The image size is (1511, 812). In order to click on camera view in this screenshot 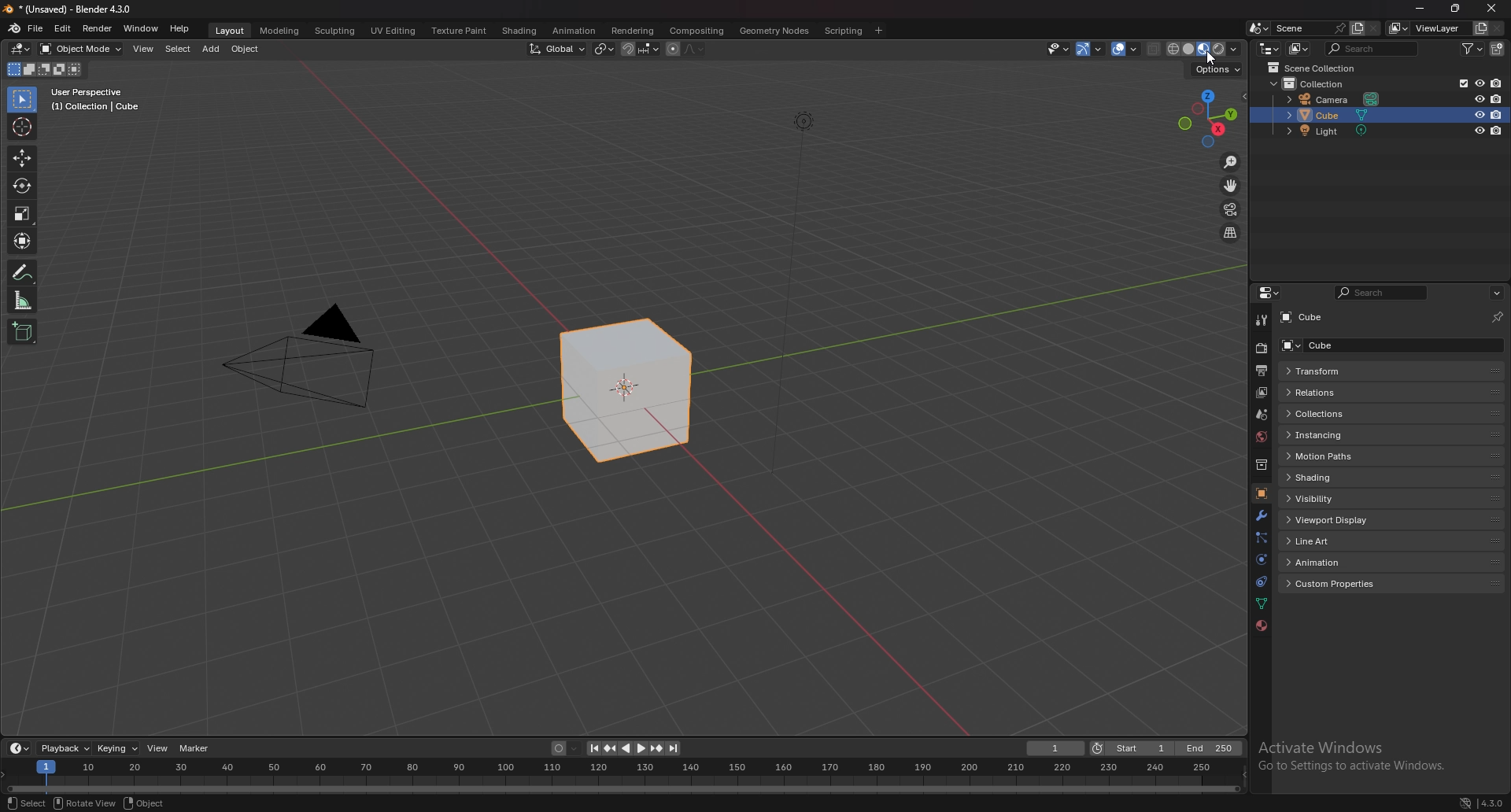, I will do `click(1231, 209)`.